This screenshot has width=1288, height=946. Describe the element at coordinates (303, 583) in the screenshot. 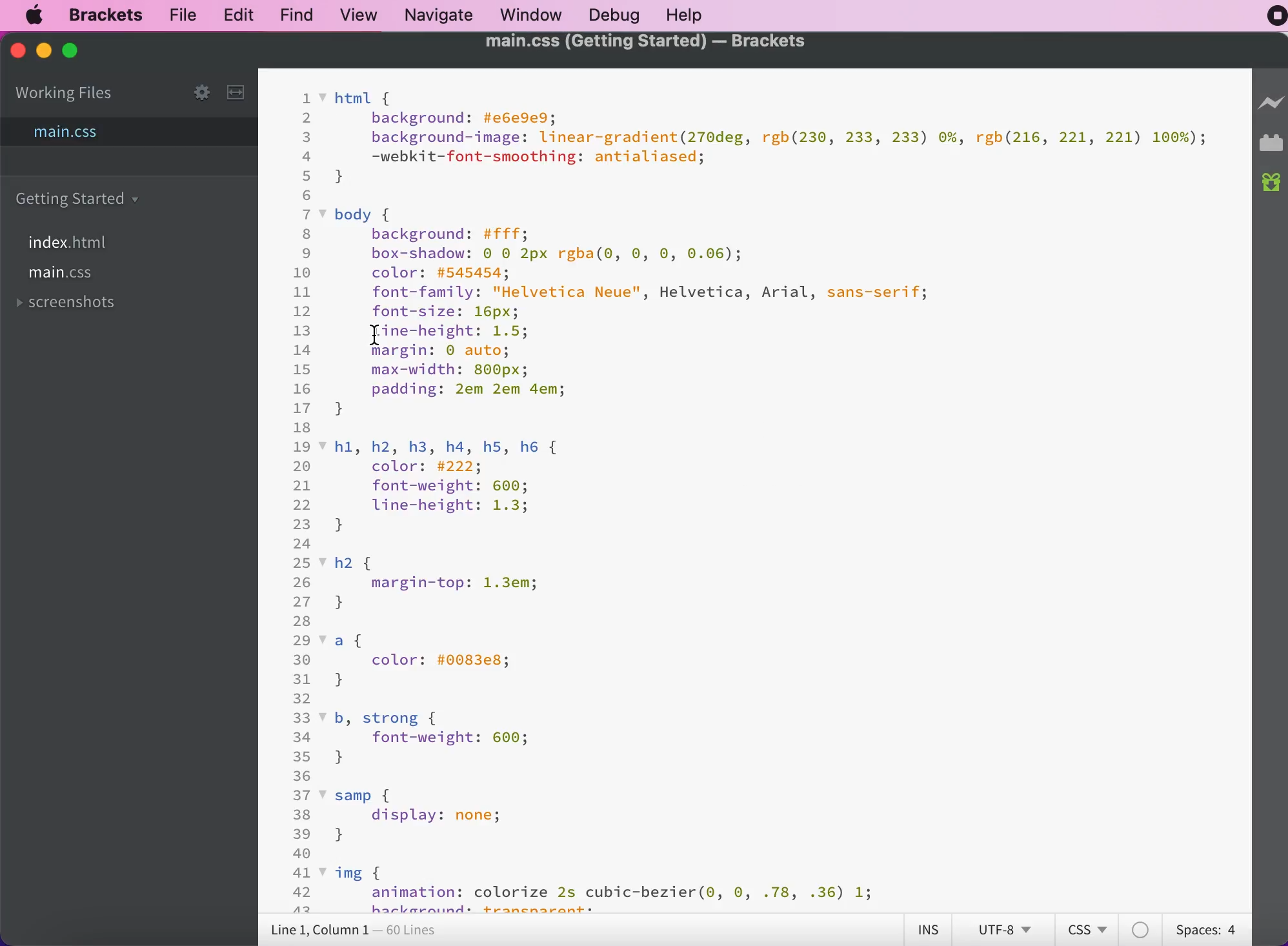

I see `26` at that location.